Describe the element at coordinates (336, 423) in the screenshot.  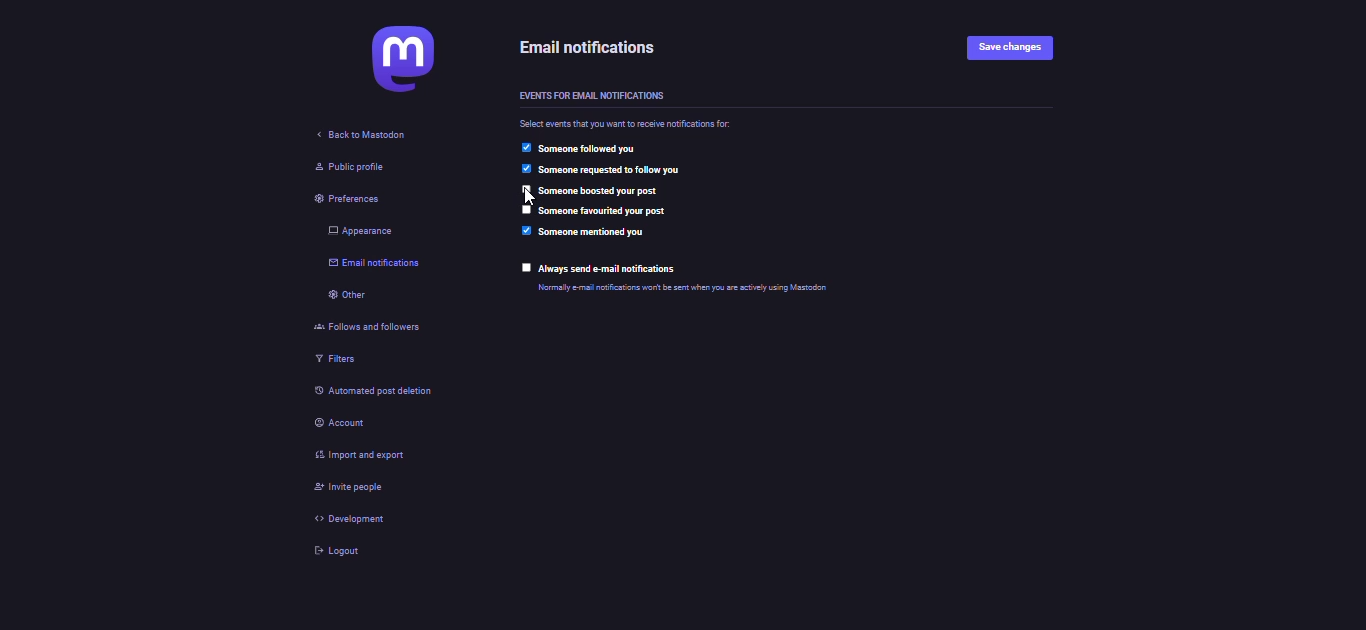
I see `account` at that location.